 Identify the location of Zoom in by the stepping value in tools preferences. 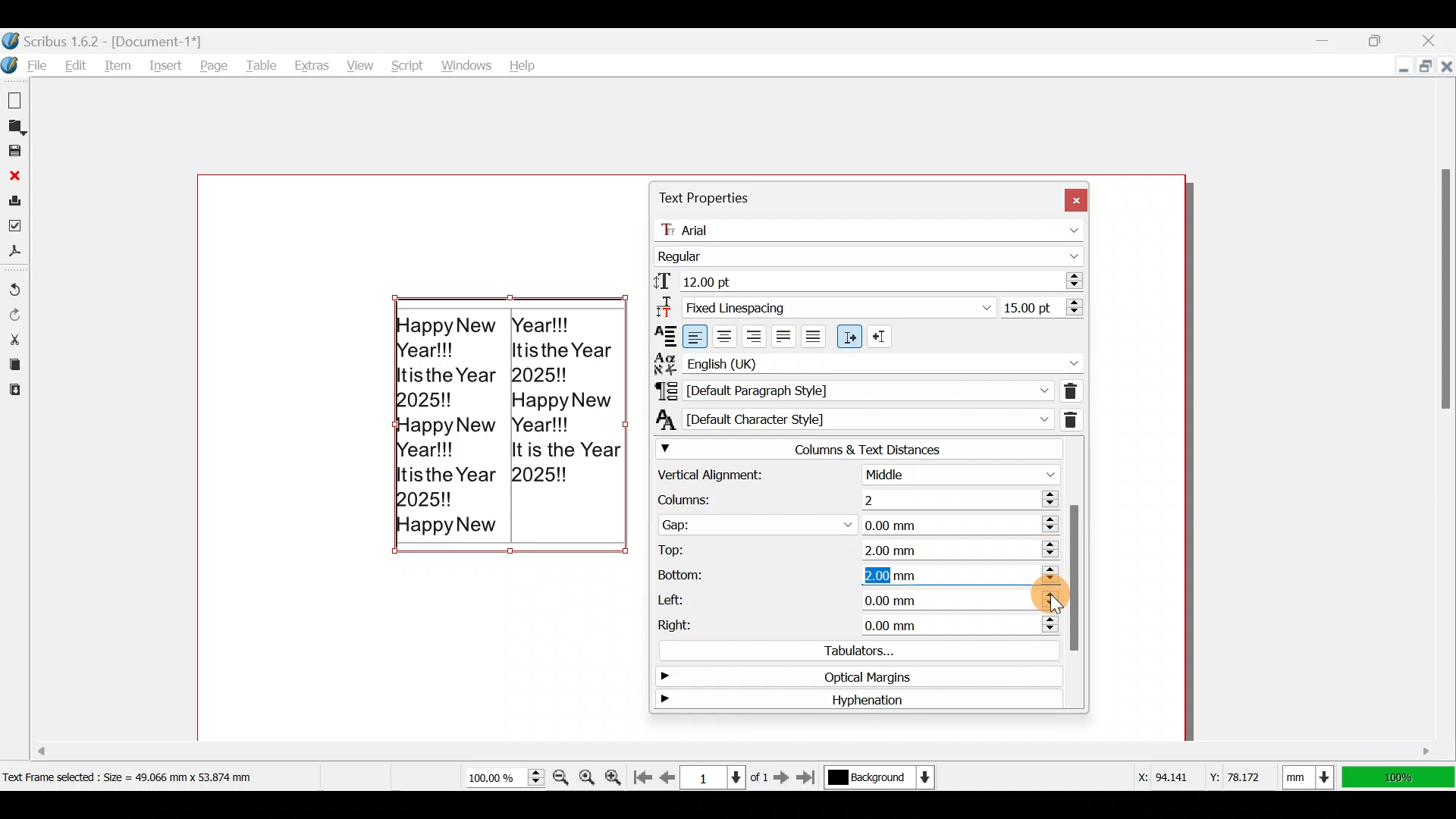
(615, 775).